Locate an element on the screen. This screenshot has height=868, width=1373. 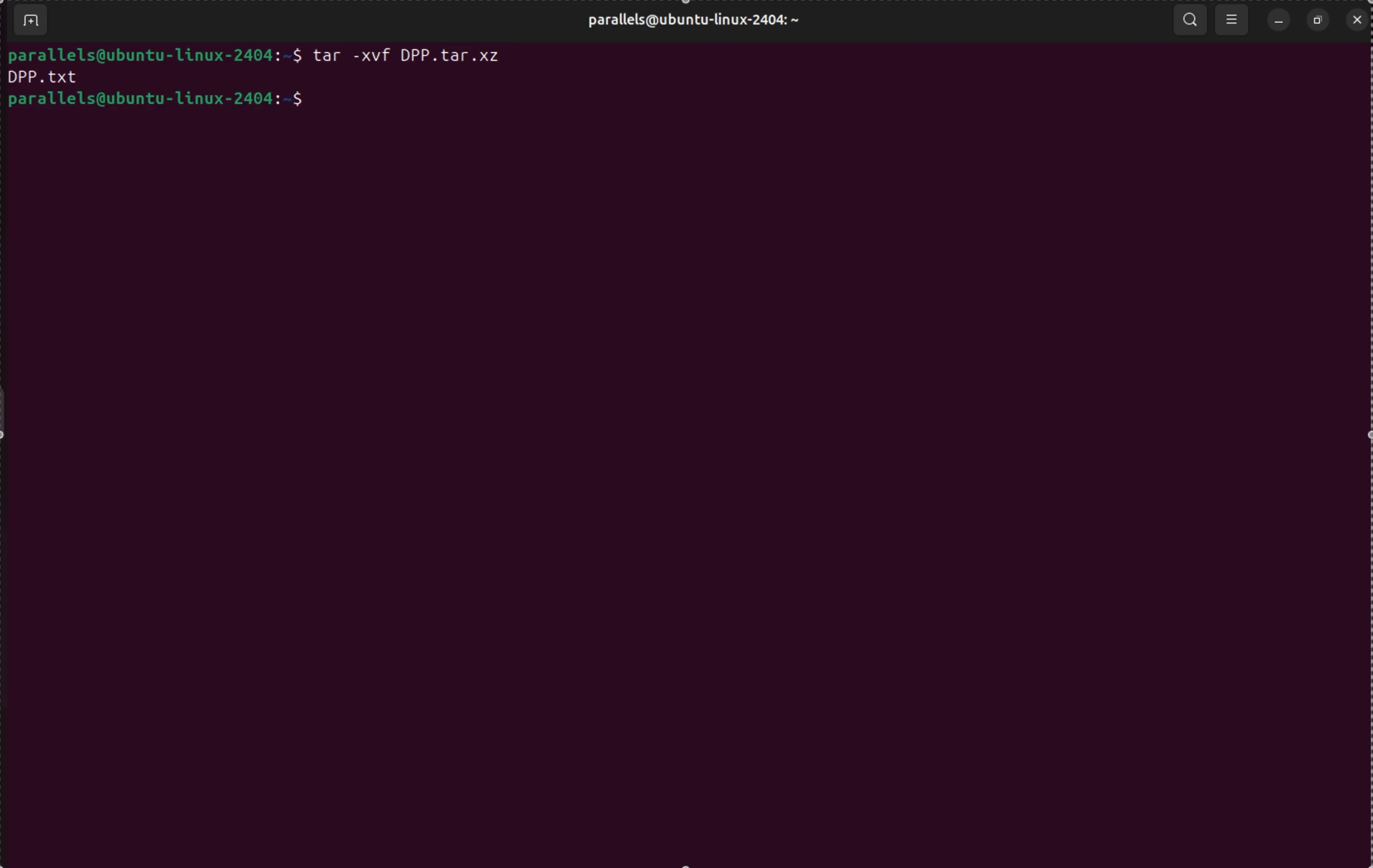
close is located at coordinates (1356, 19).